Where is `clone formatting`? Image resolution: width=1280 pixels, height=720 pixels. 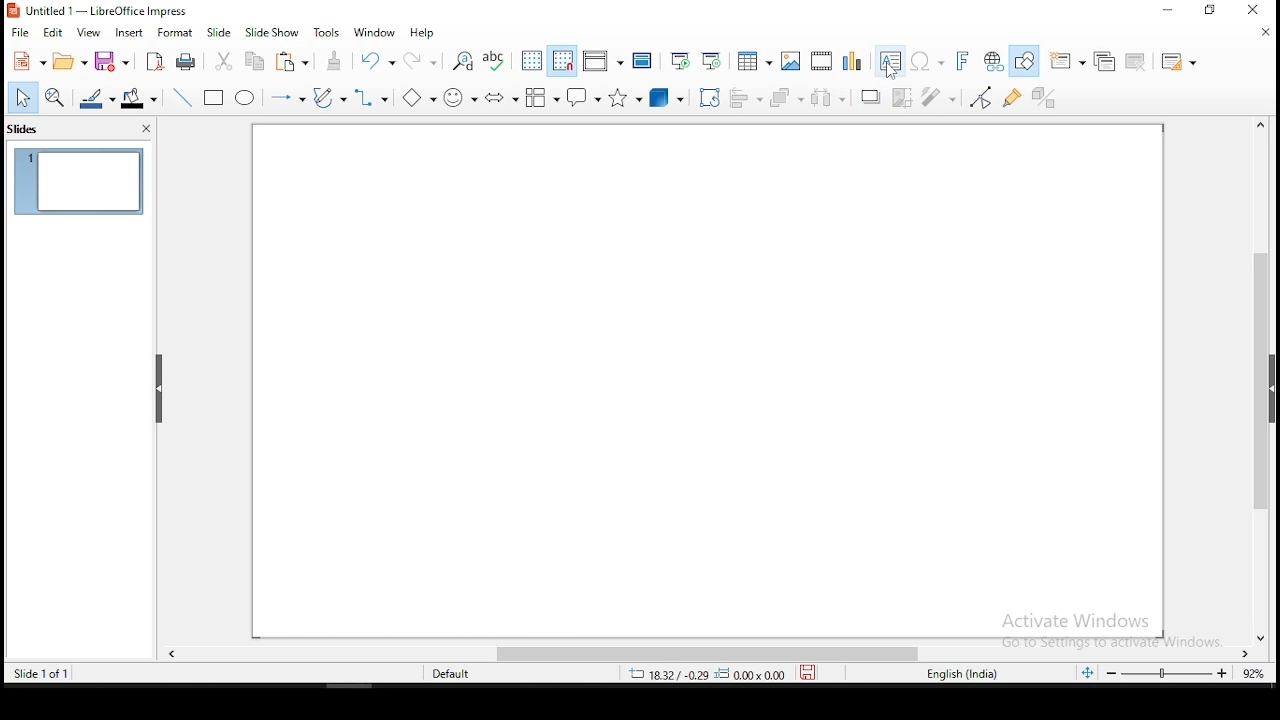 clone formatting is located at coordinates (336, 60).